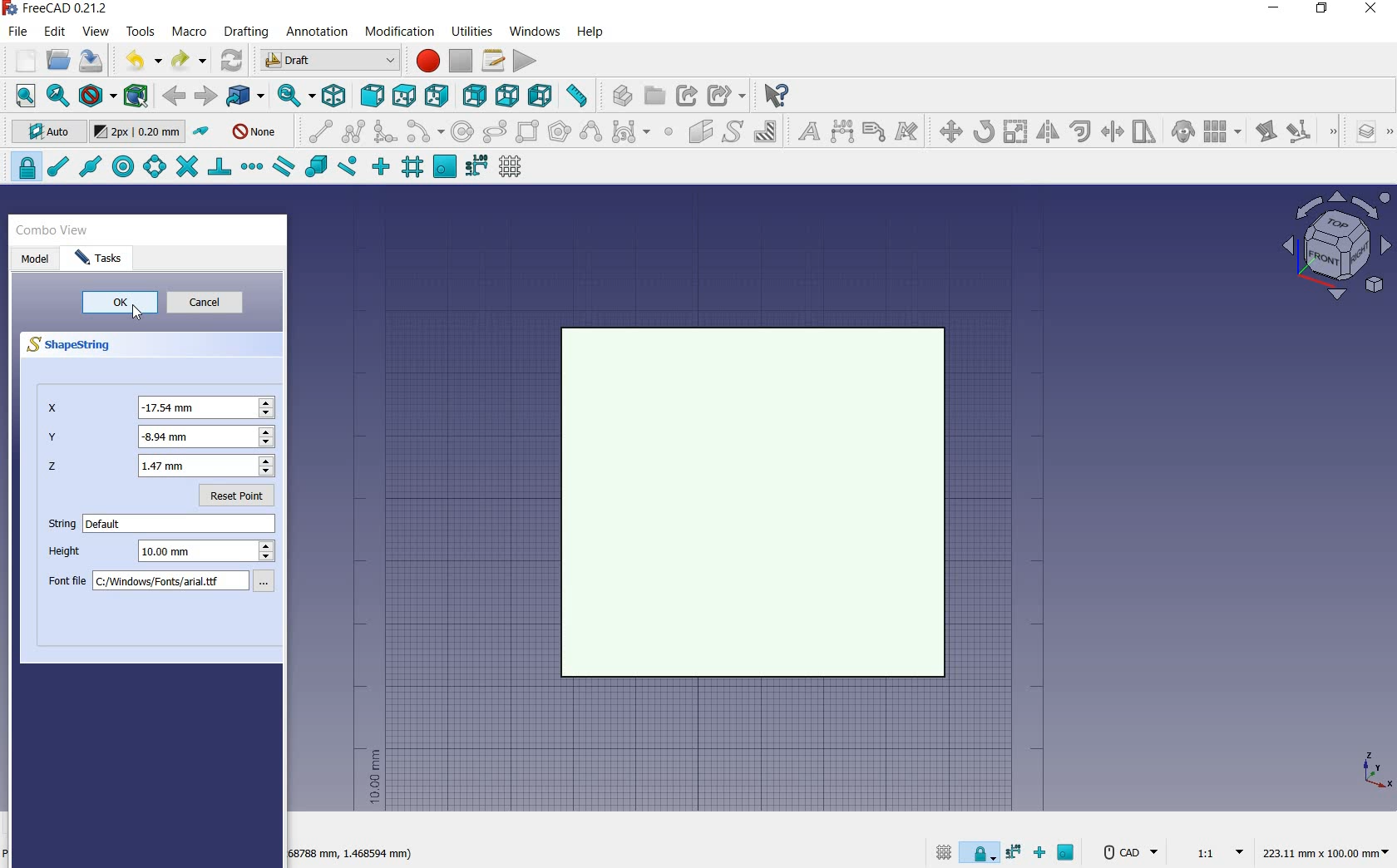 This screenshot has width=1397, height=868. What do you see at coordinates (36, 258) in the screenshot?
I see `model` at bounding box center [36, 258].